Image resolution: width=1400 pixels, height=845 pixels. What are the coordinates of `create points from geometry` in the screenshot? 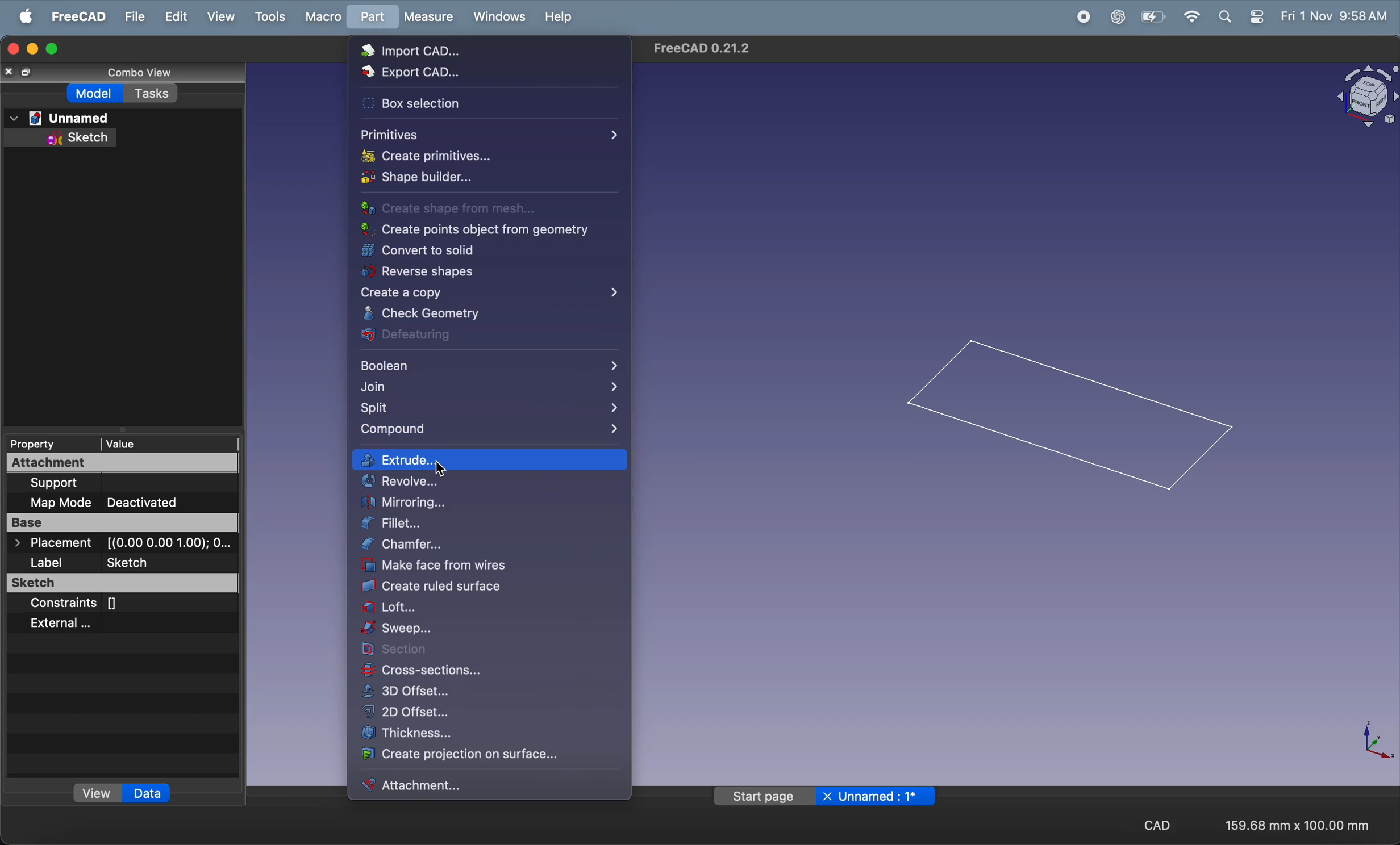 It's located at (484, 230).